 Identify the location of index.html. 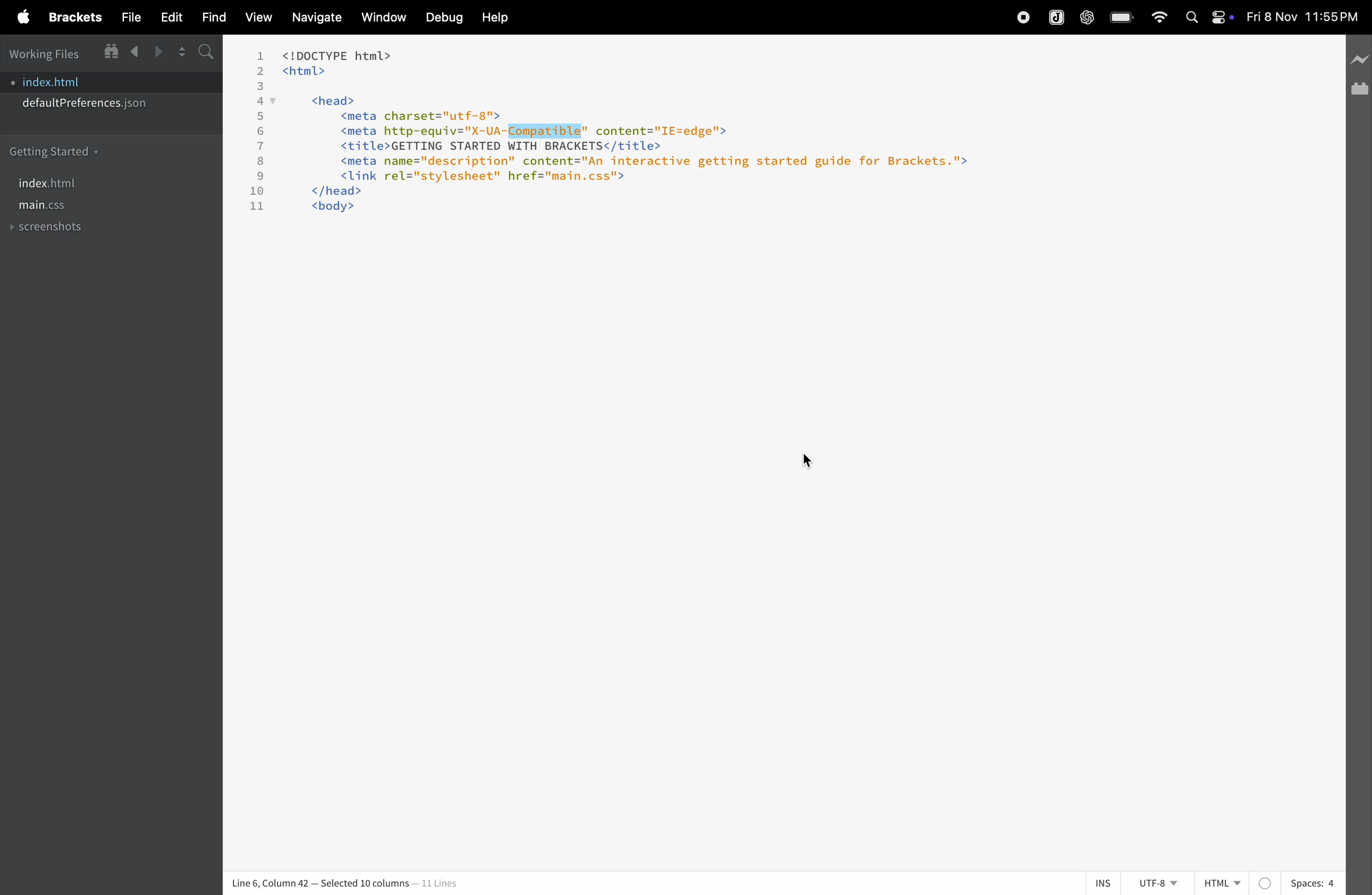
(67, 81).